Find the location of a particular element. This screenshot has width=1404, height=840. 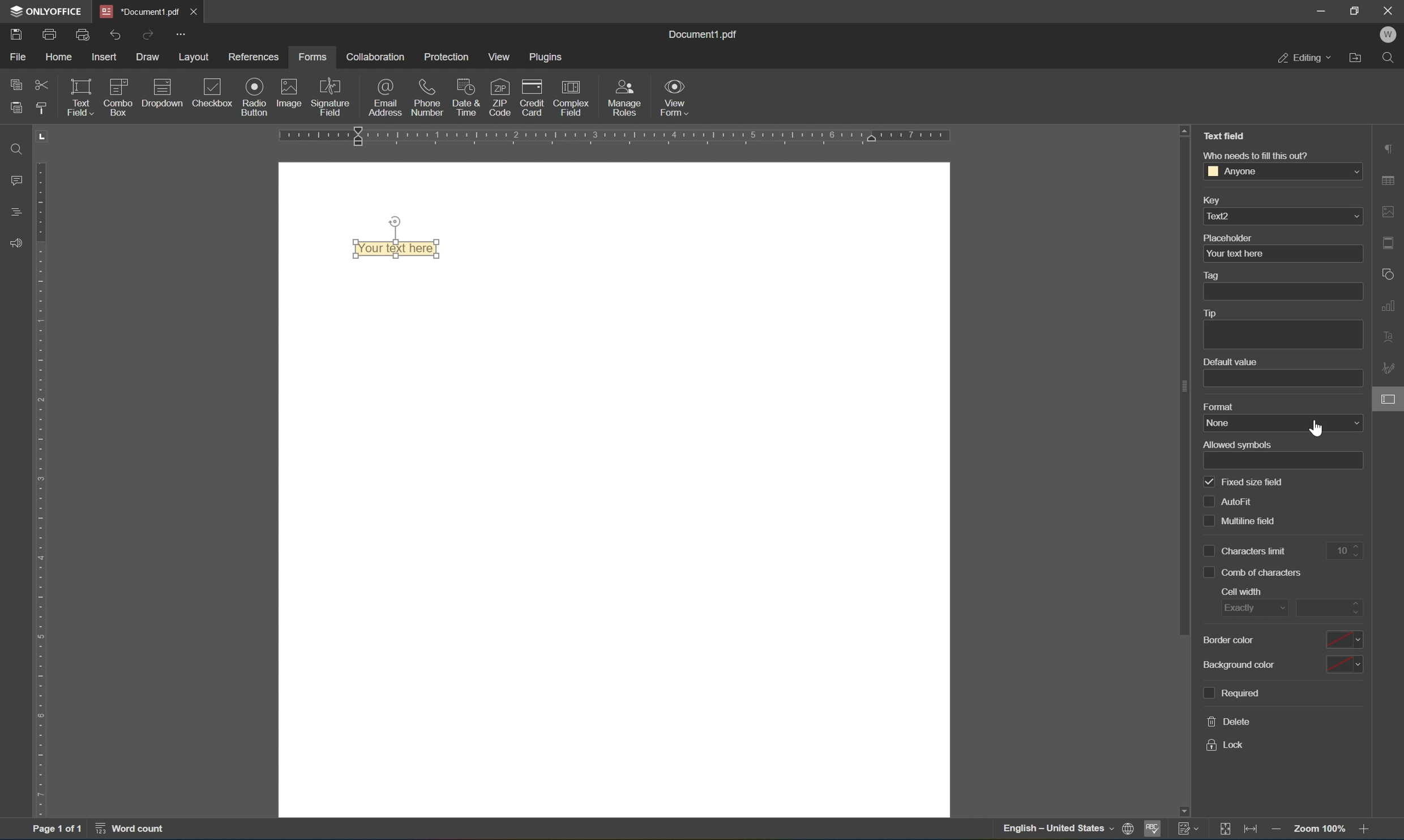

zip code is located at coordinates (499, 97).